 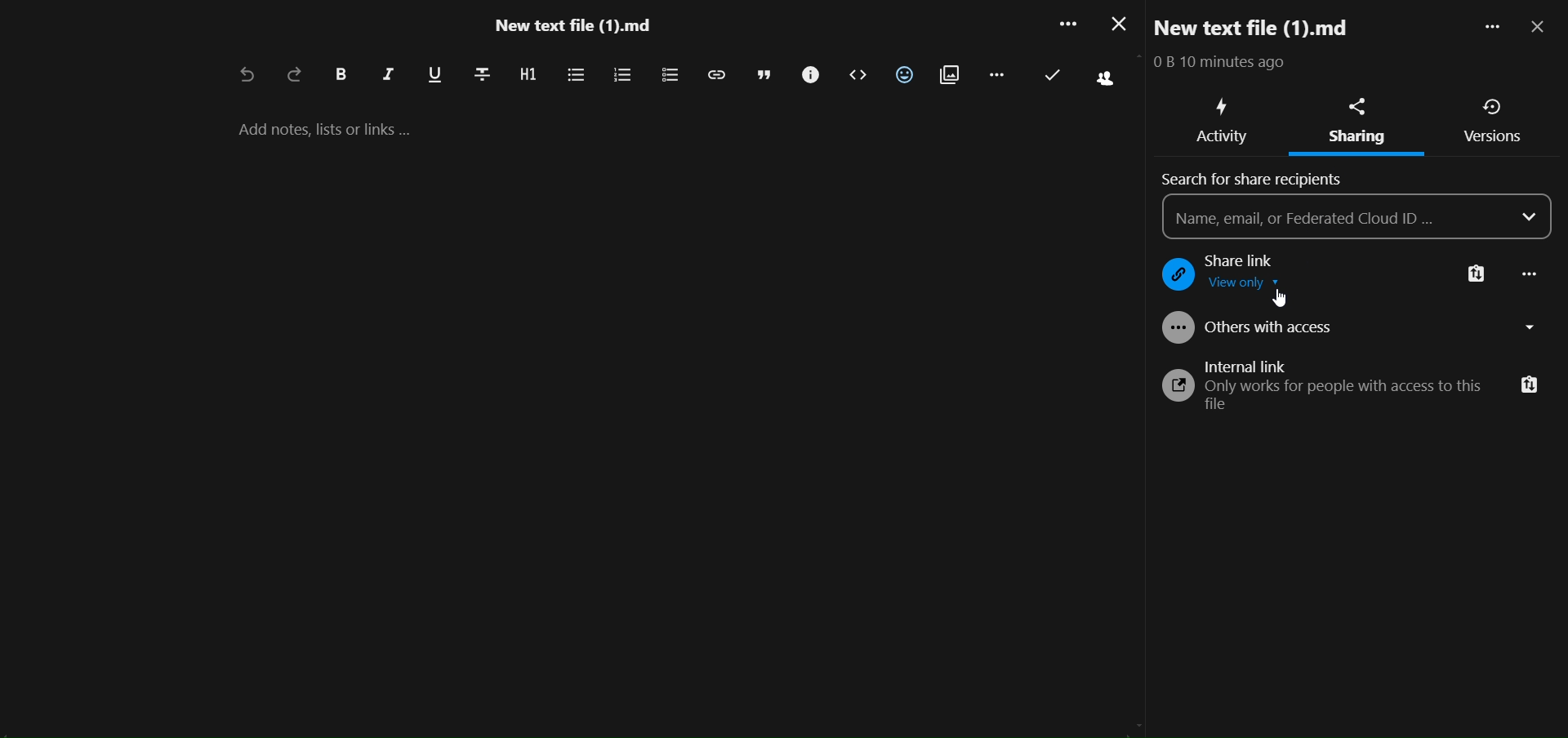 I want to click on internal link, so click(x=1249, y=365).